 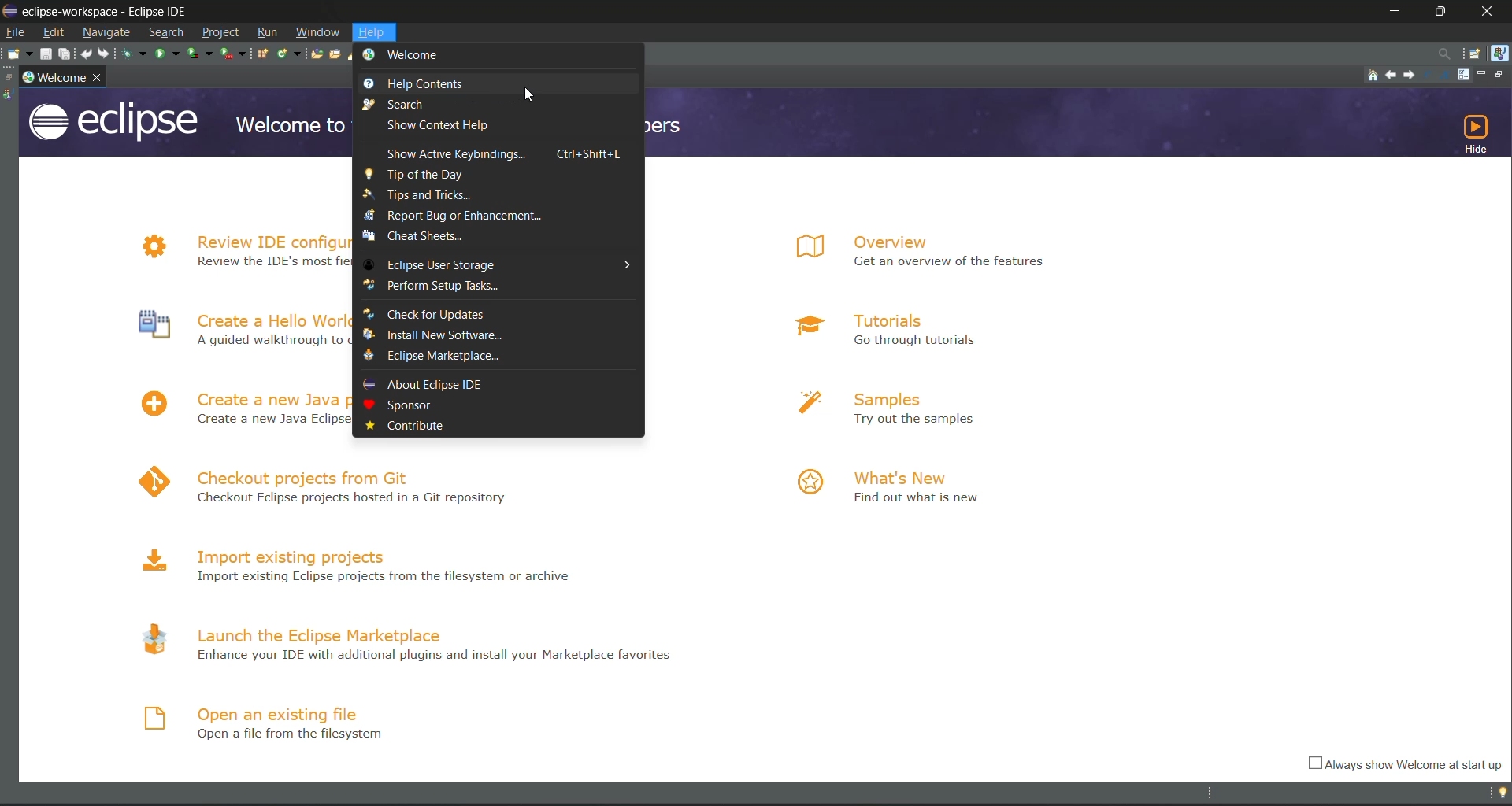 I want to click on checkout projects from Git, so click(x=333, y=471).